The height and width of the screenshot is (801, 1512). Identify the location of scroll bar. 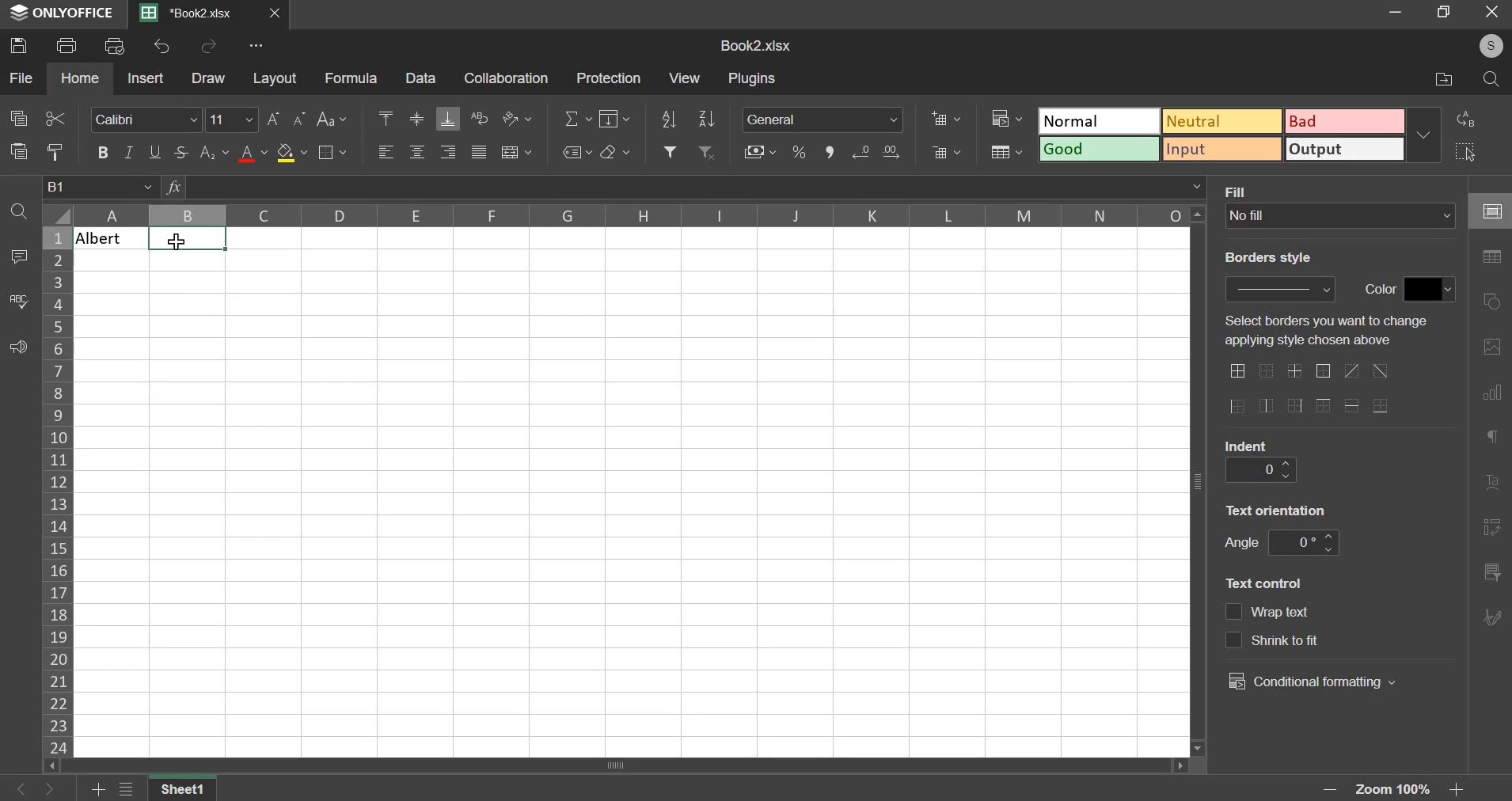
(620, 766).